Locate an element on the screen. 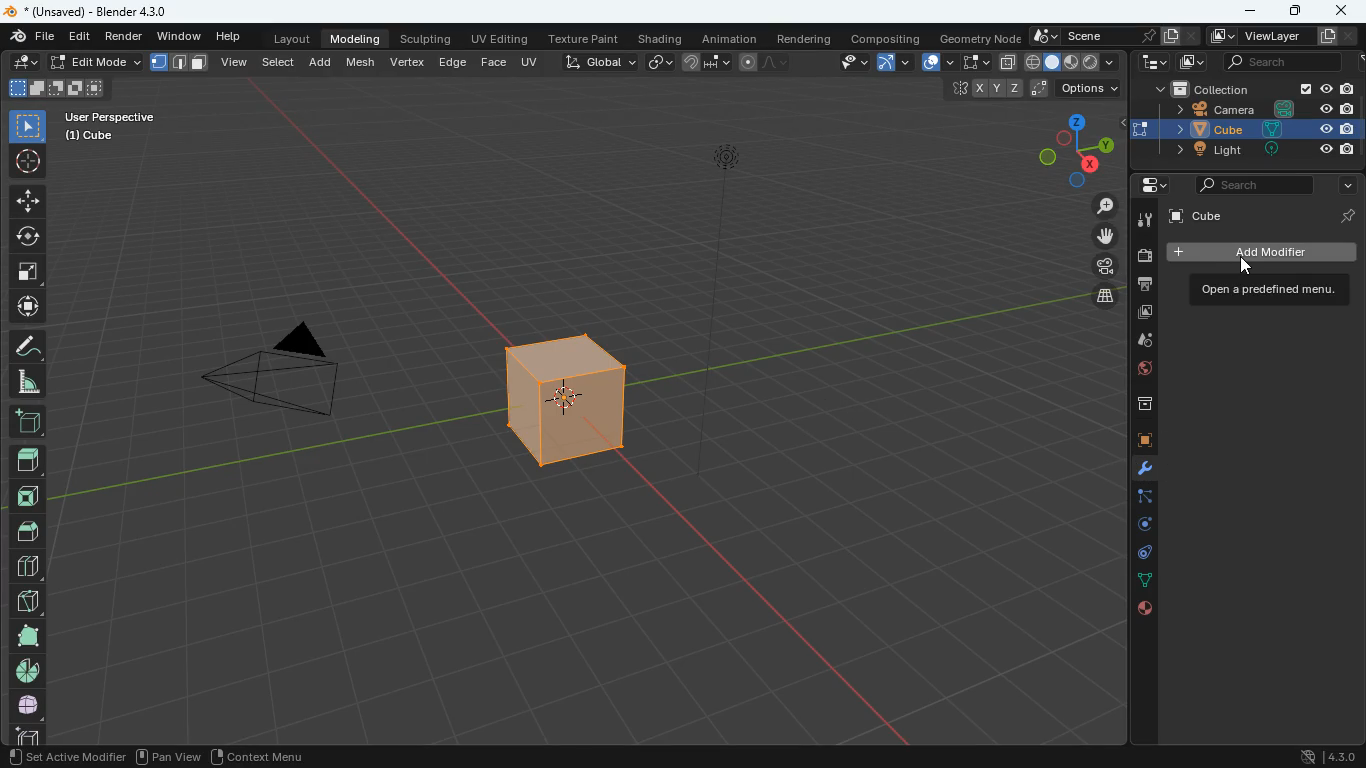 The height and width of the screenshot is (768, 1366). window is located at coordinates (181, 34).